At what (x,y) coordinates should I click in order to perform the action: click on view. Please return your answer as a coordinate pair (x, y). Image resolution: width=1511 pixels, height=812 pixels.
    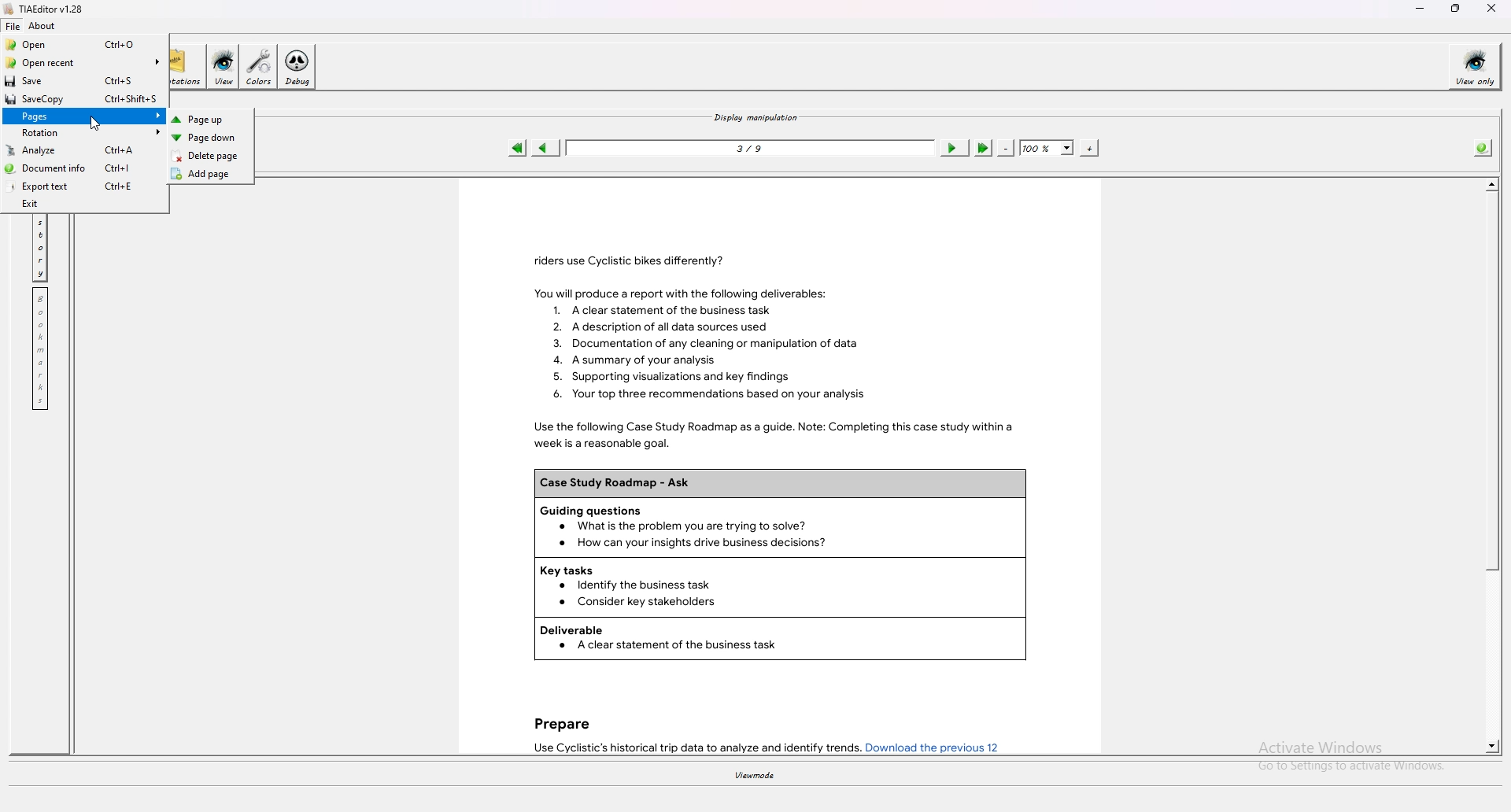
    Looking at the image, I should click on (223, 67).